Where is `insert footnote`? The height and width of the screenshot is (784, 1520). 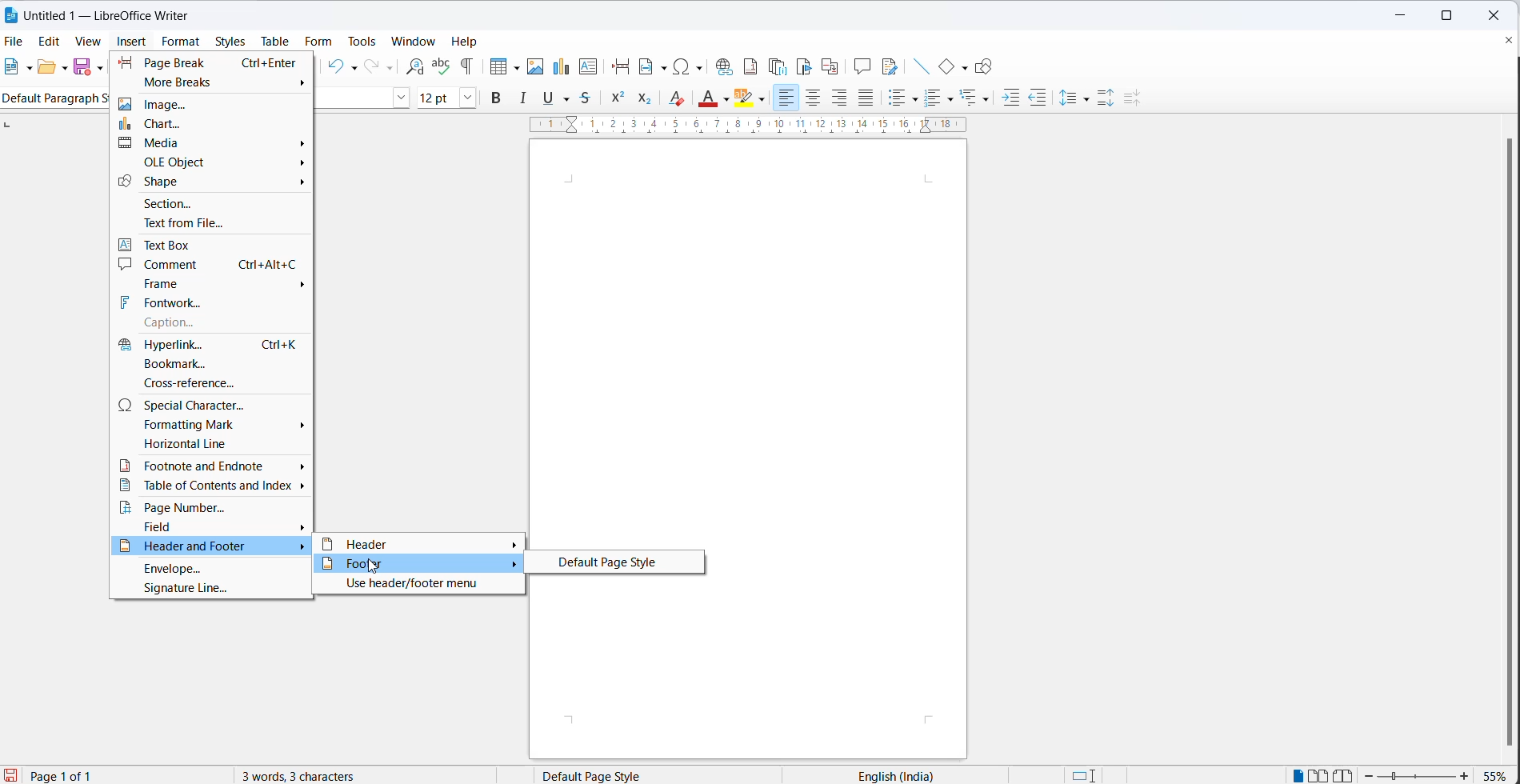 insert footnote is located at coordinates (752, 66).